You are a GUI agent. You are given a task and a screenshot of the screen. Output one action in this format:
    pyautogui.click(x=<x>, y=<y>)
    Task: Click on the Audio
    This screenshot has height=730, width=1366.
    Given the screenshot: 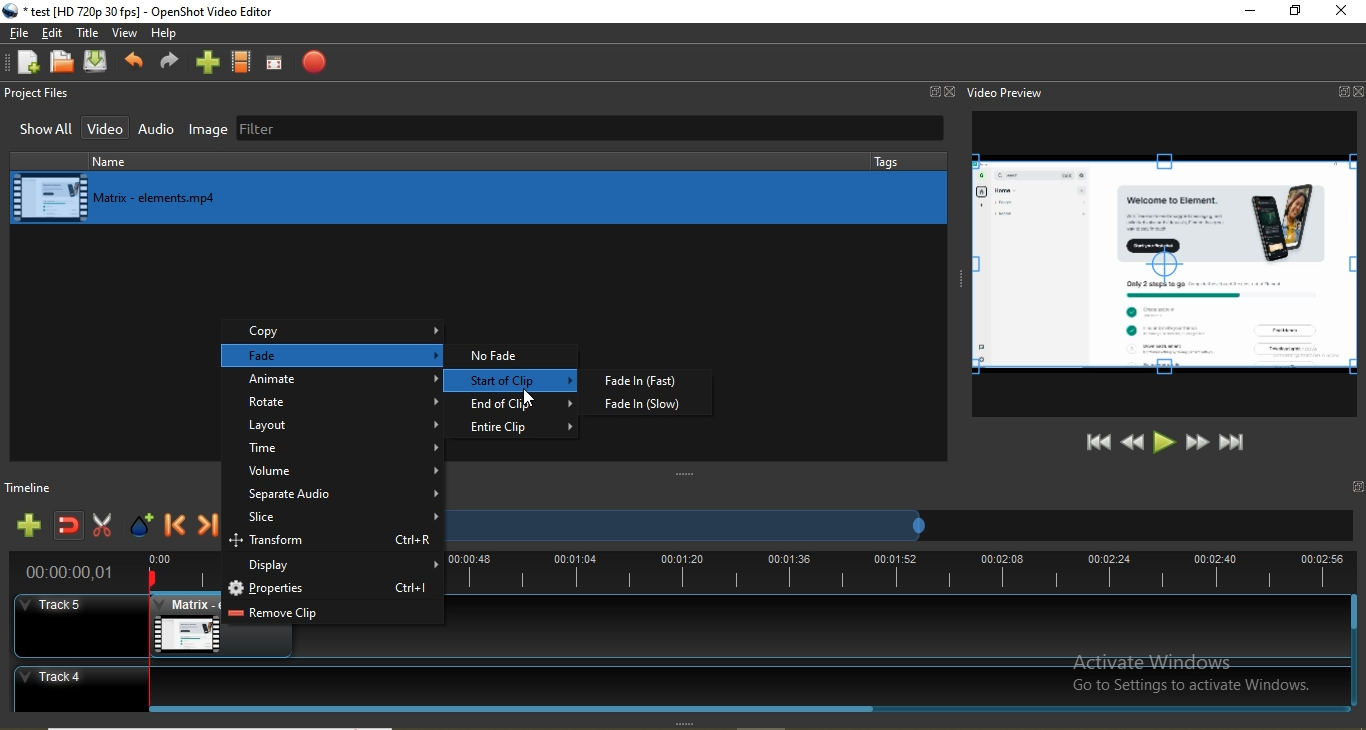 What is the action you would take?
    pyautogui.click(x=158, y=130)
    